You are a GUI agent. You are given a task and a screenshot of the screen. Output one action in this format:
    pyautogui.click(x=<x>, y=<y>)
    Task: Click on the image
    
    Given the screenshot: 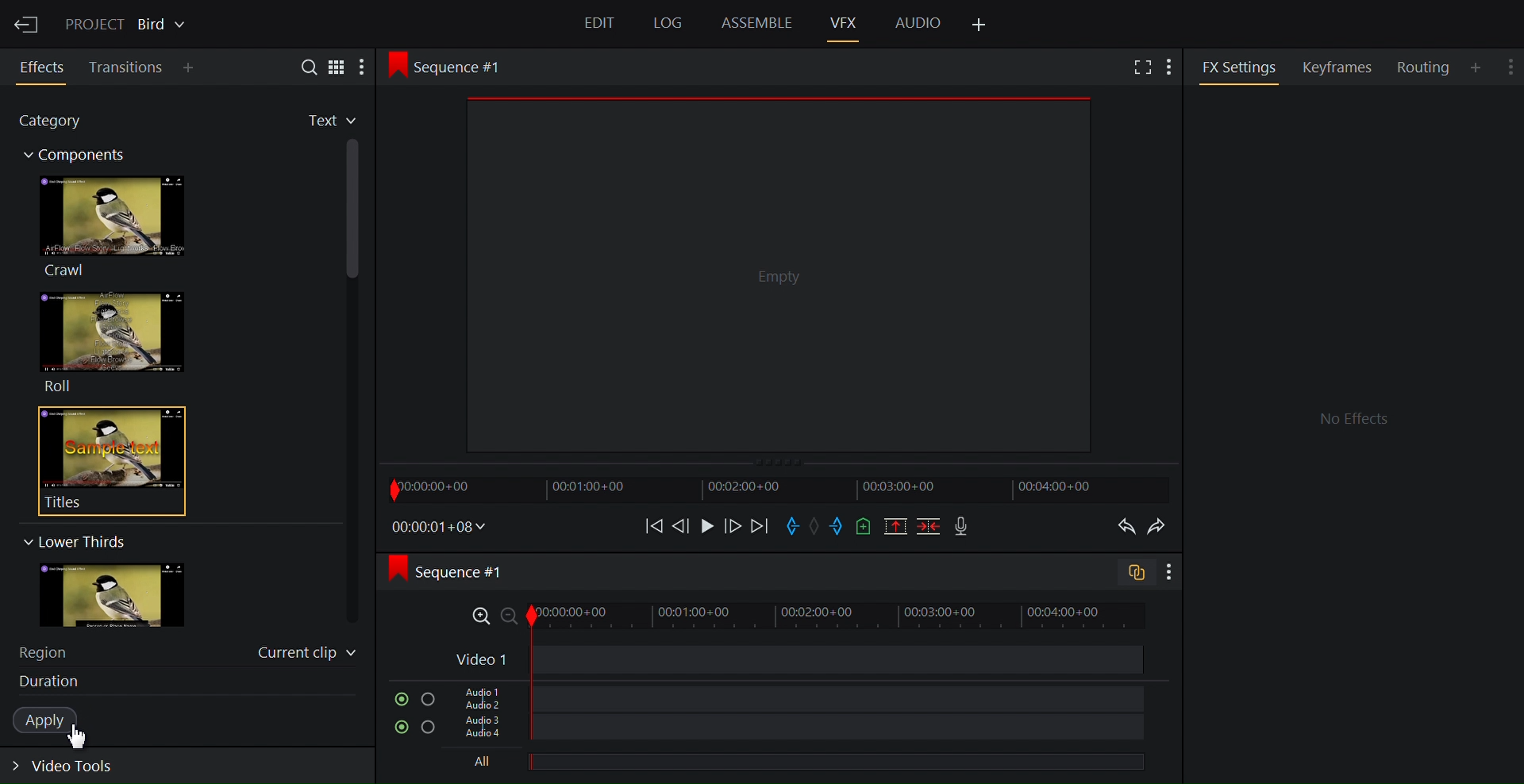 What is the action you would take?
    pyautogui.click(x=128, y=596)
    